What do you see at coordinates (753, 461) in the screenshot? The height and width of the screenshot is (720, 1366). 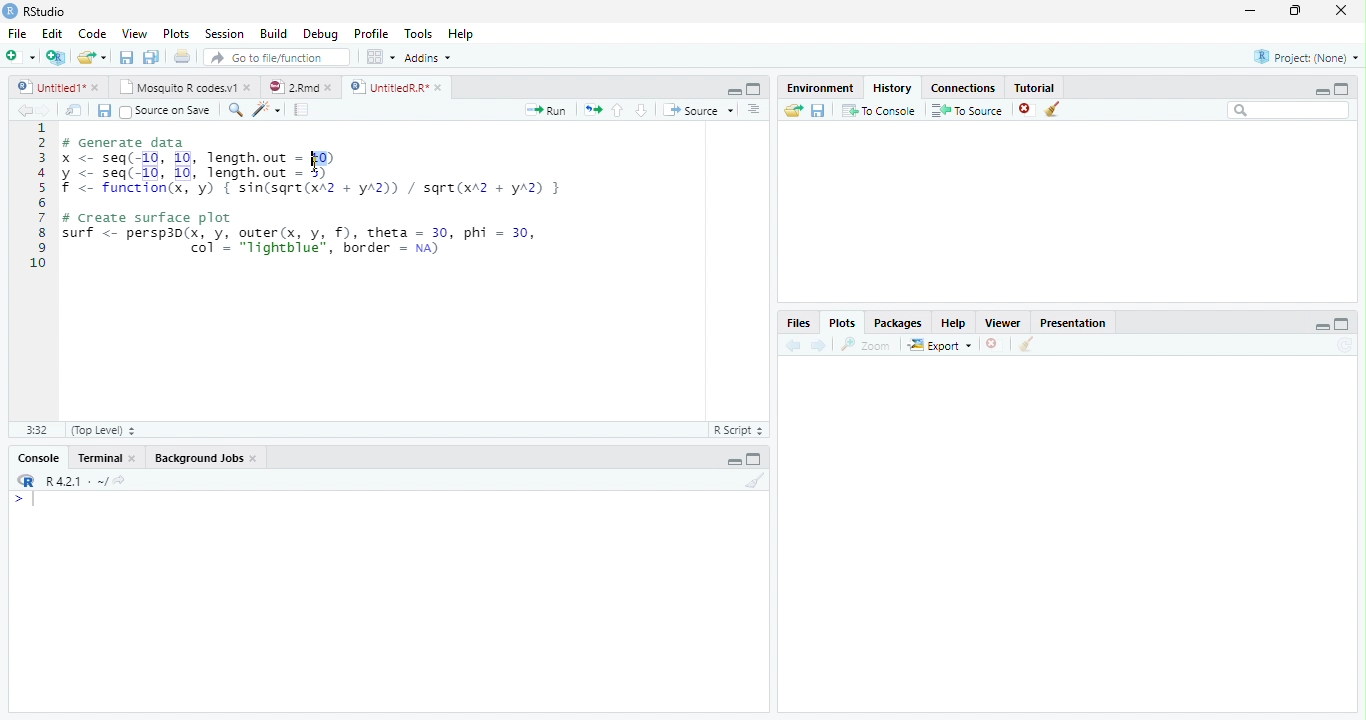 I see `Maximize` at bounding box center [753, 461].